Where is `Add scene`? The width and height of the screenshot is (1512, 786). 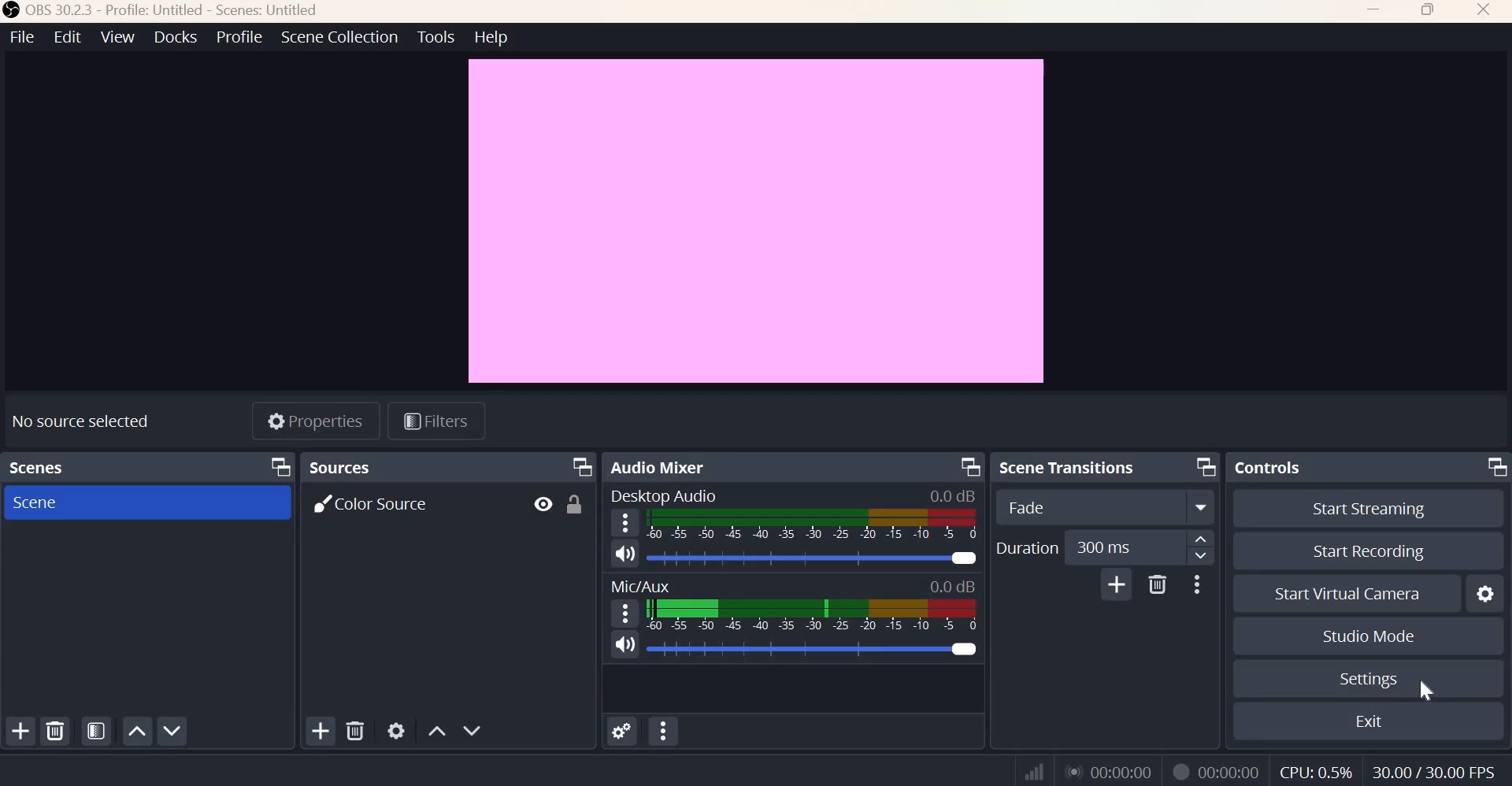 Add scene is located at coordinates (21, 732).